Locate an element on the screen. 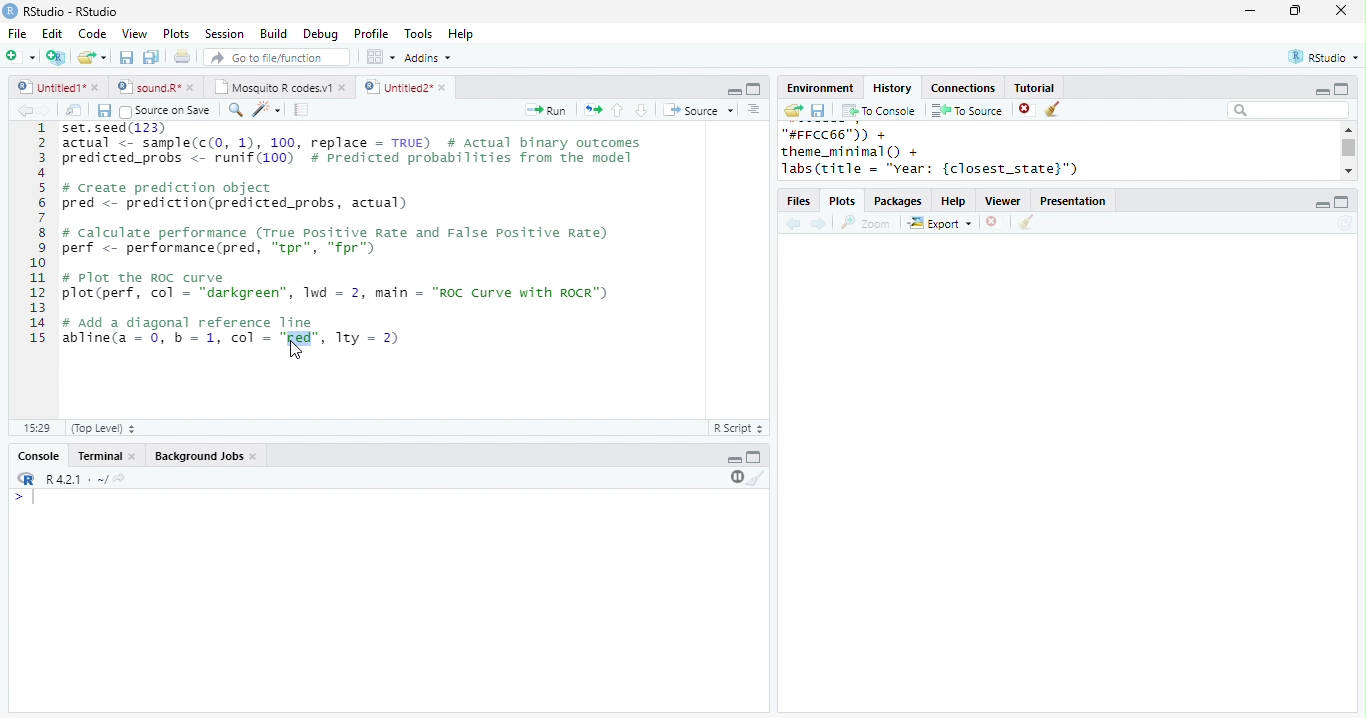 Image resolution: width=1366 pixels, height=718 pixels. Help is located at coordinates (461, 35).